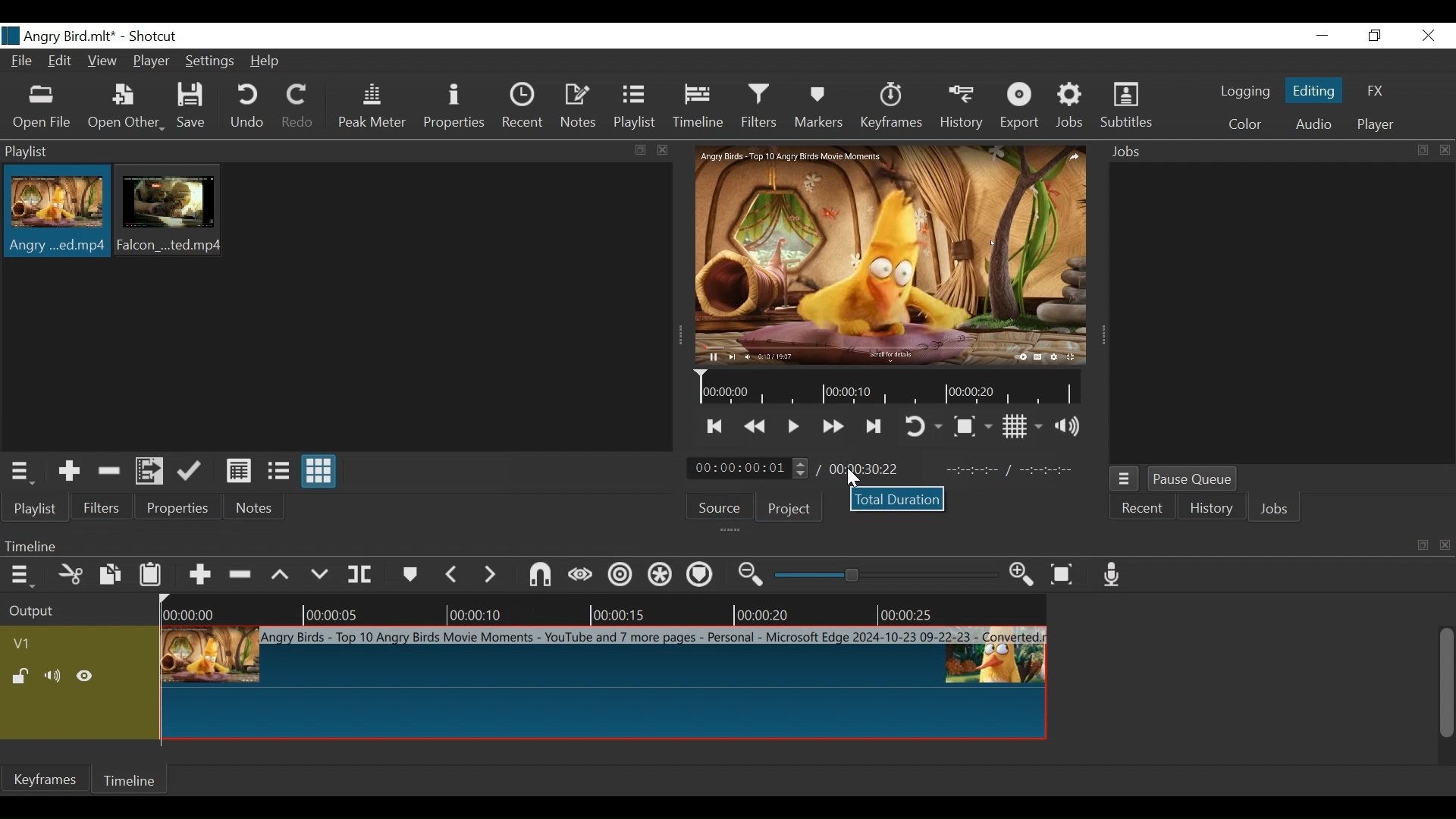 The width and height of the screenshot is (1456, 819). What do you see at coordinates (581, 106) in the screenshot?
I see `Notes` at bounding box center [581, 106].